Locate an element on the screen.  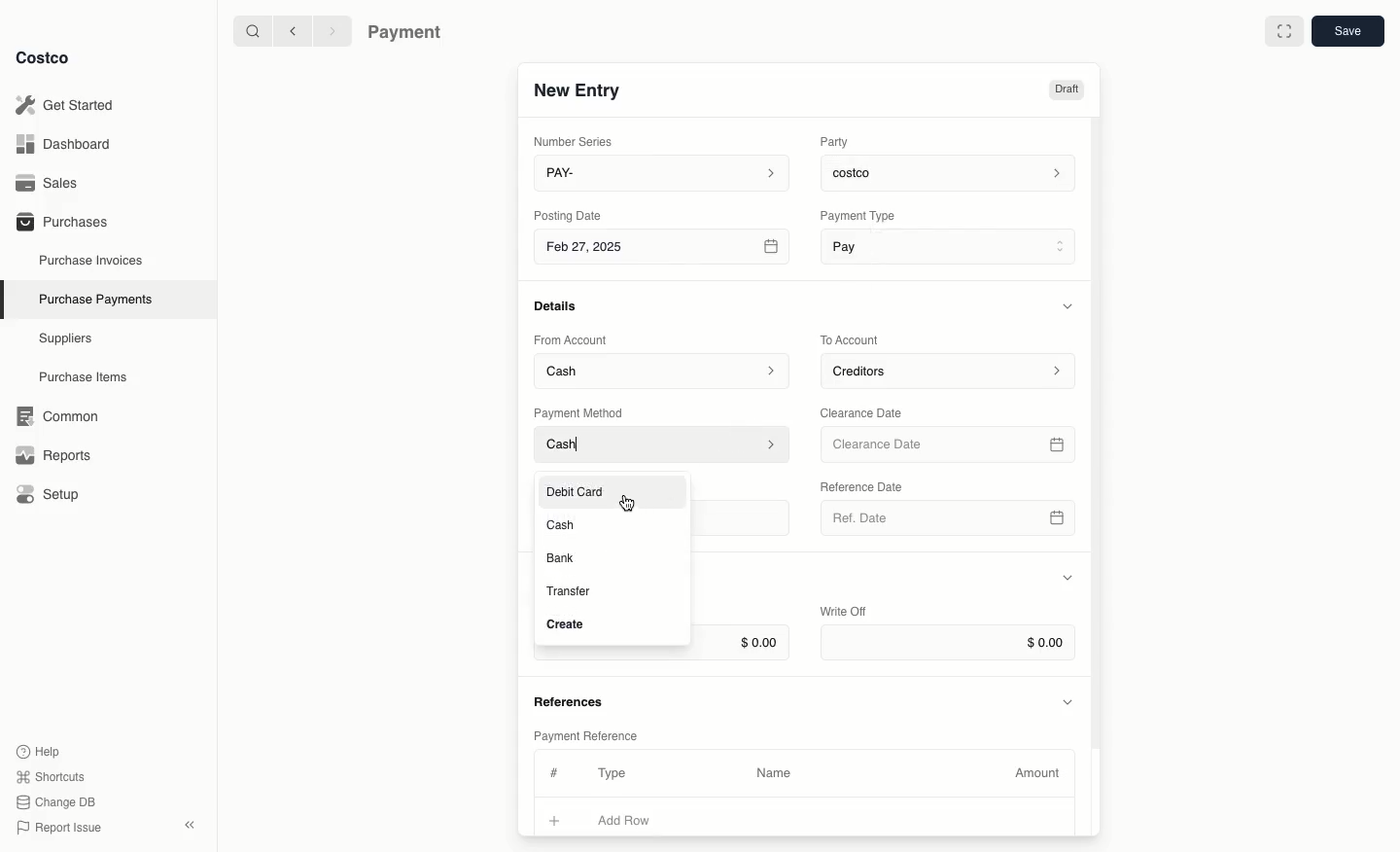
Purchases is located at coordinates (61, 221).